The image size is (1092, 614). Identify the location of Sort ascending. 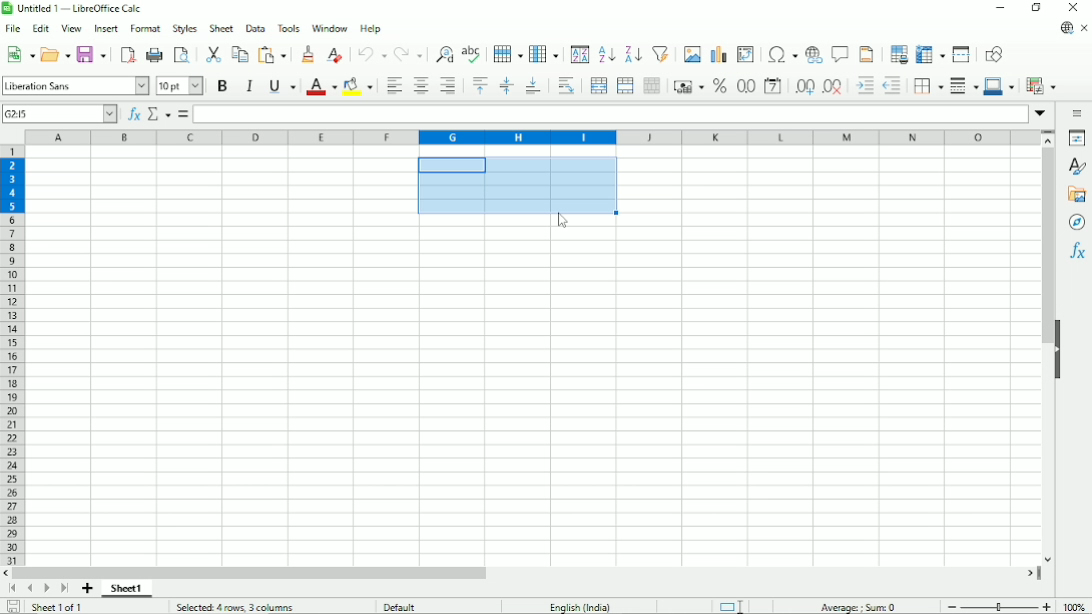
(606, 55).